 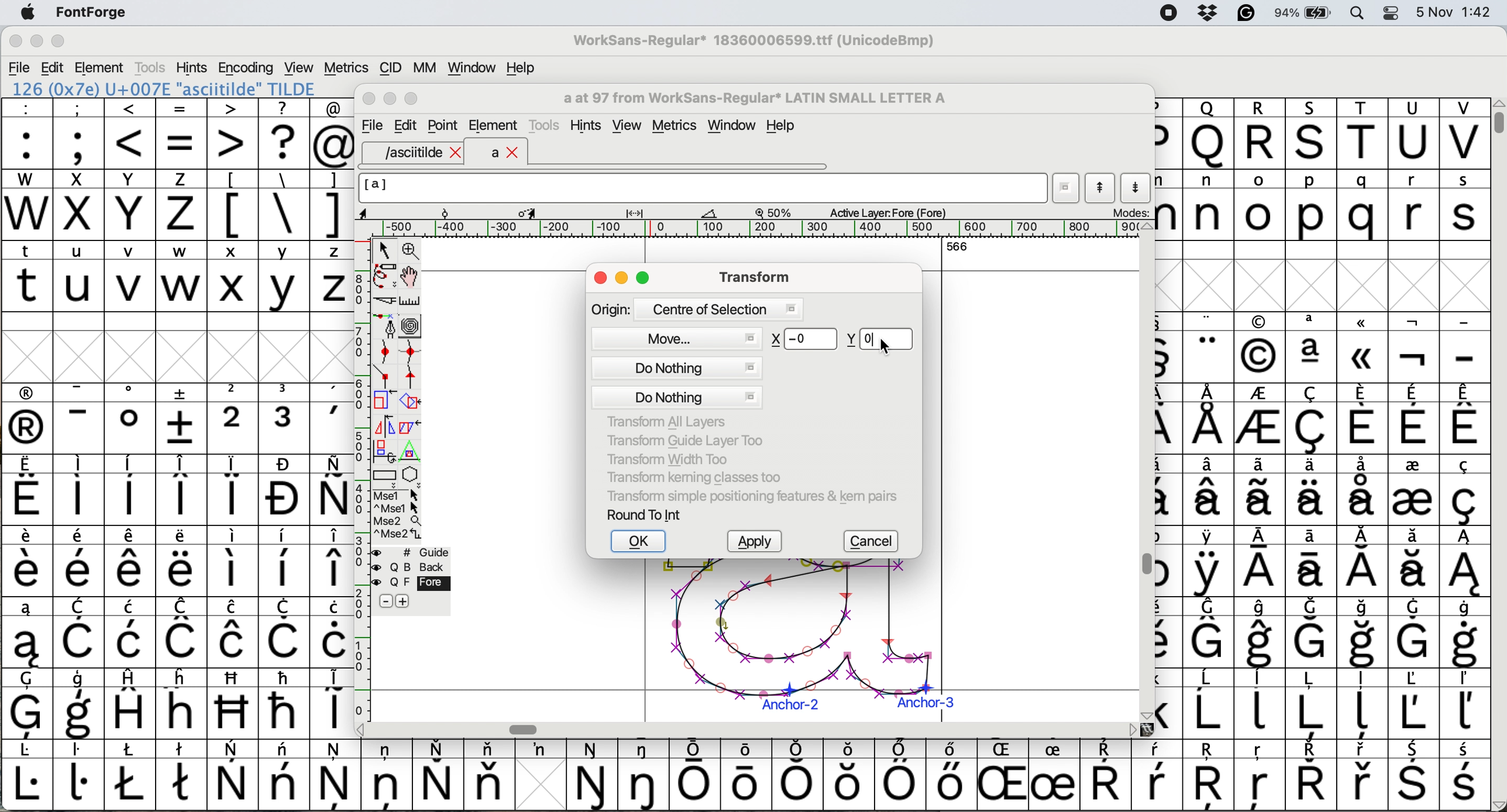 I want to click on mm, so click(x=424, y=67).